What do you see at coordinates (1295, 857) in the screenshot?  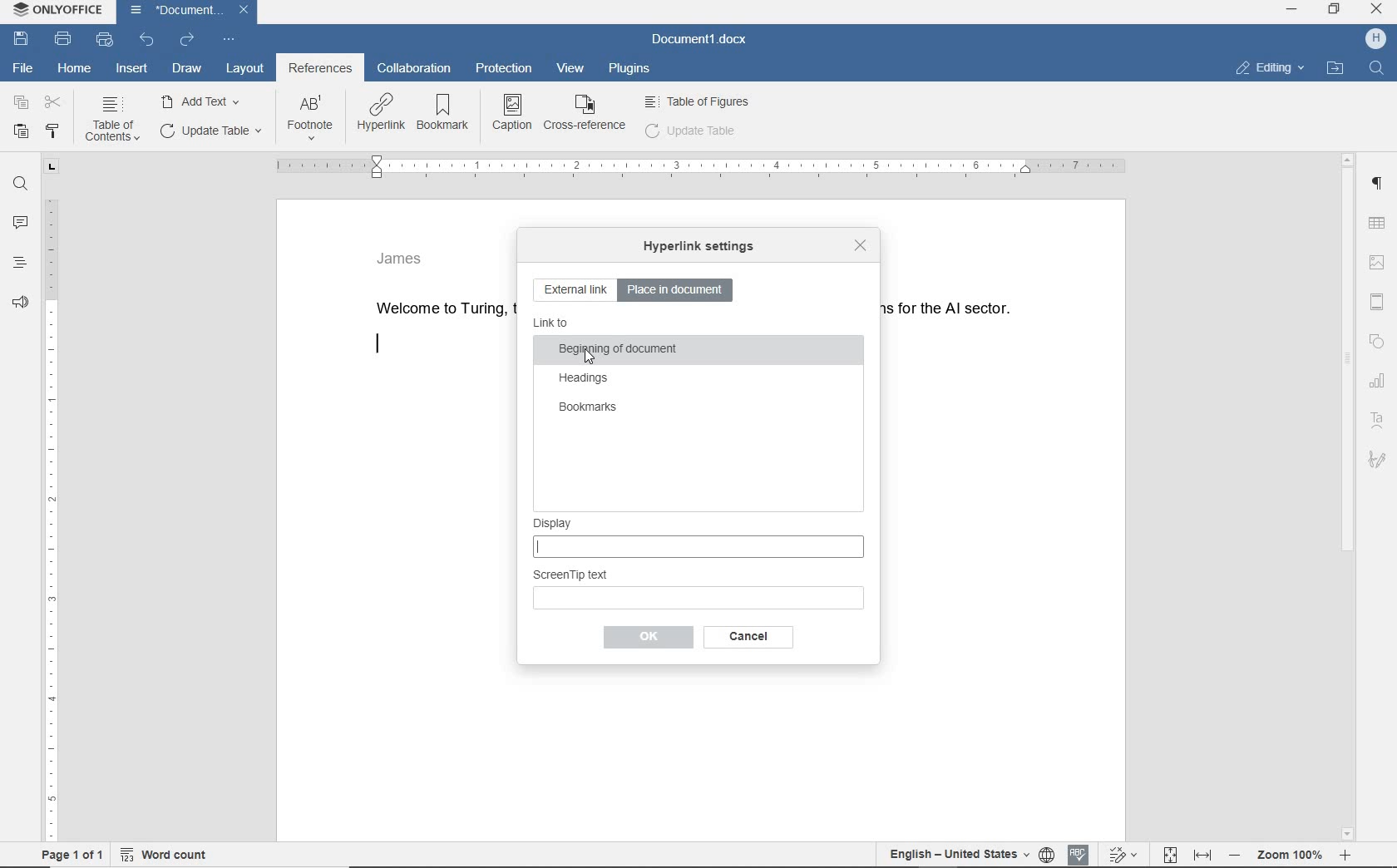 I see `zoom 100%` at bounding box center [1295, 857].